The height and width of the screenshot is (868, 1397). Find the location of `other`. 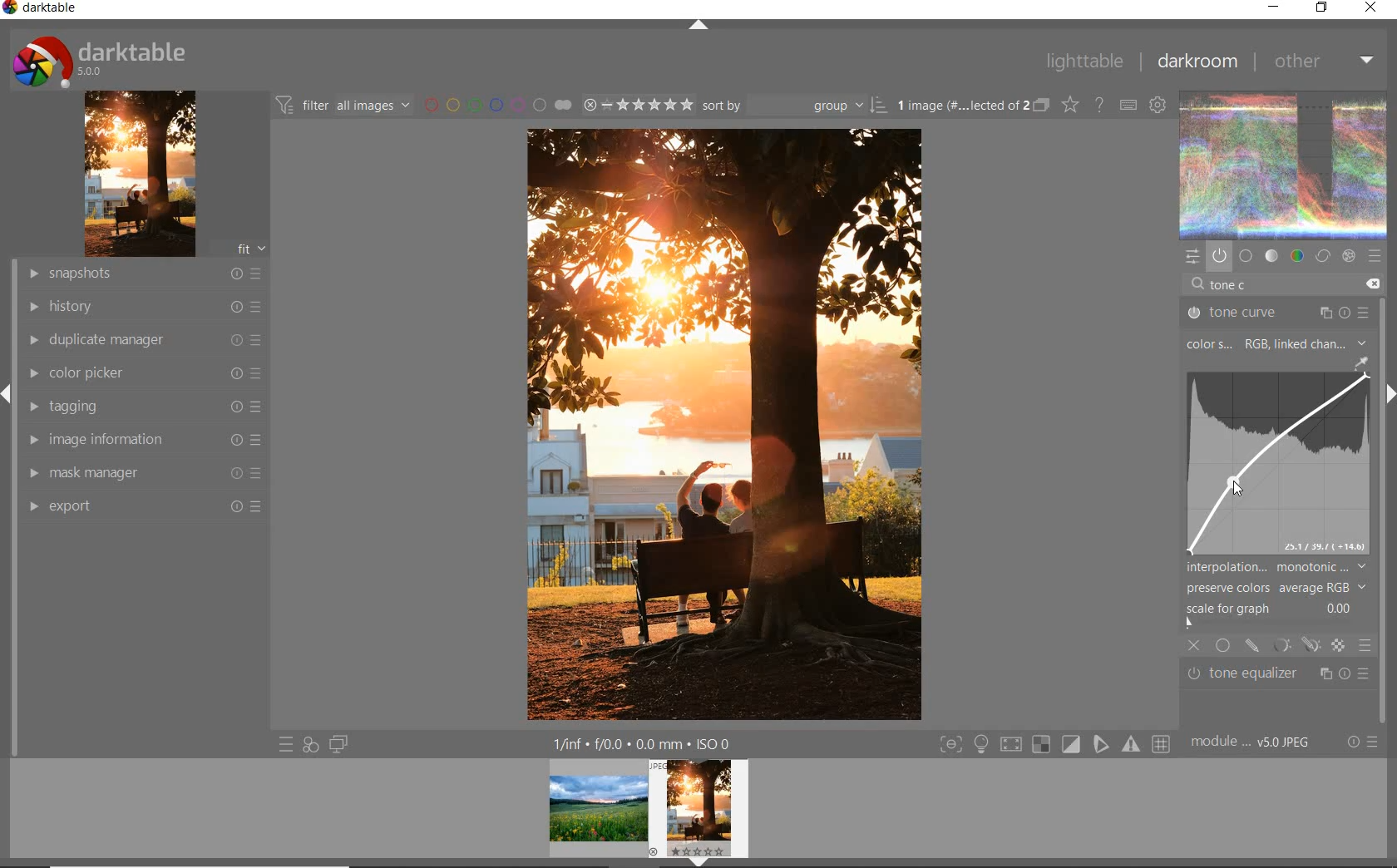

other is located at coordinates (1320, 60).